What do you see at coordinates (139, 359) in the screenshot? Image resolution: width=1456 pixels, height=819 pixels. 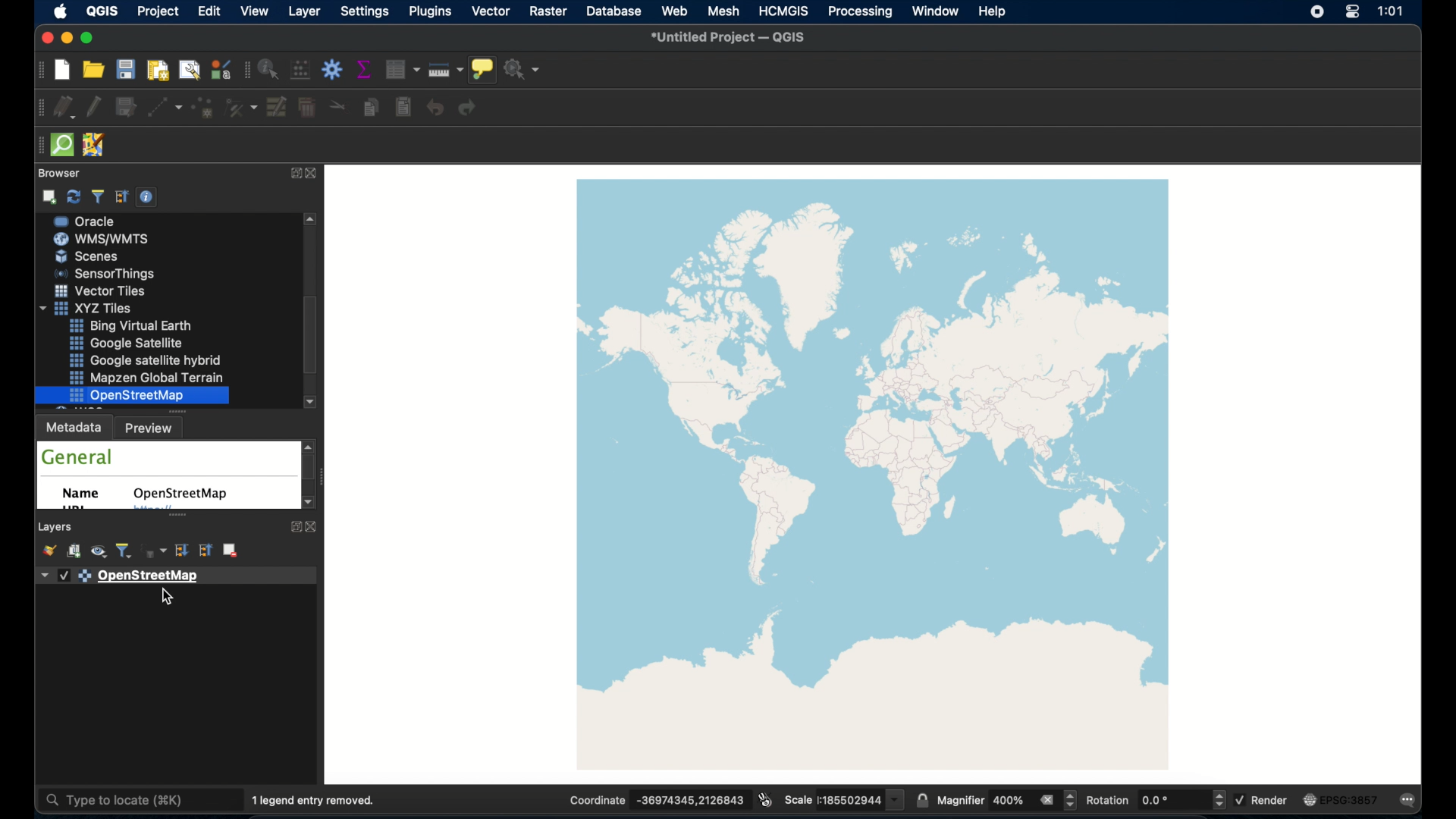 I see `xyz tiles` at bounding box center [139, 359].